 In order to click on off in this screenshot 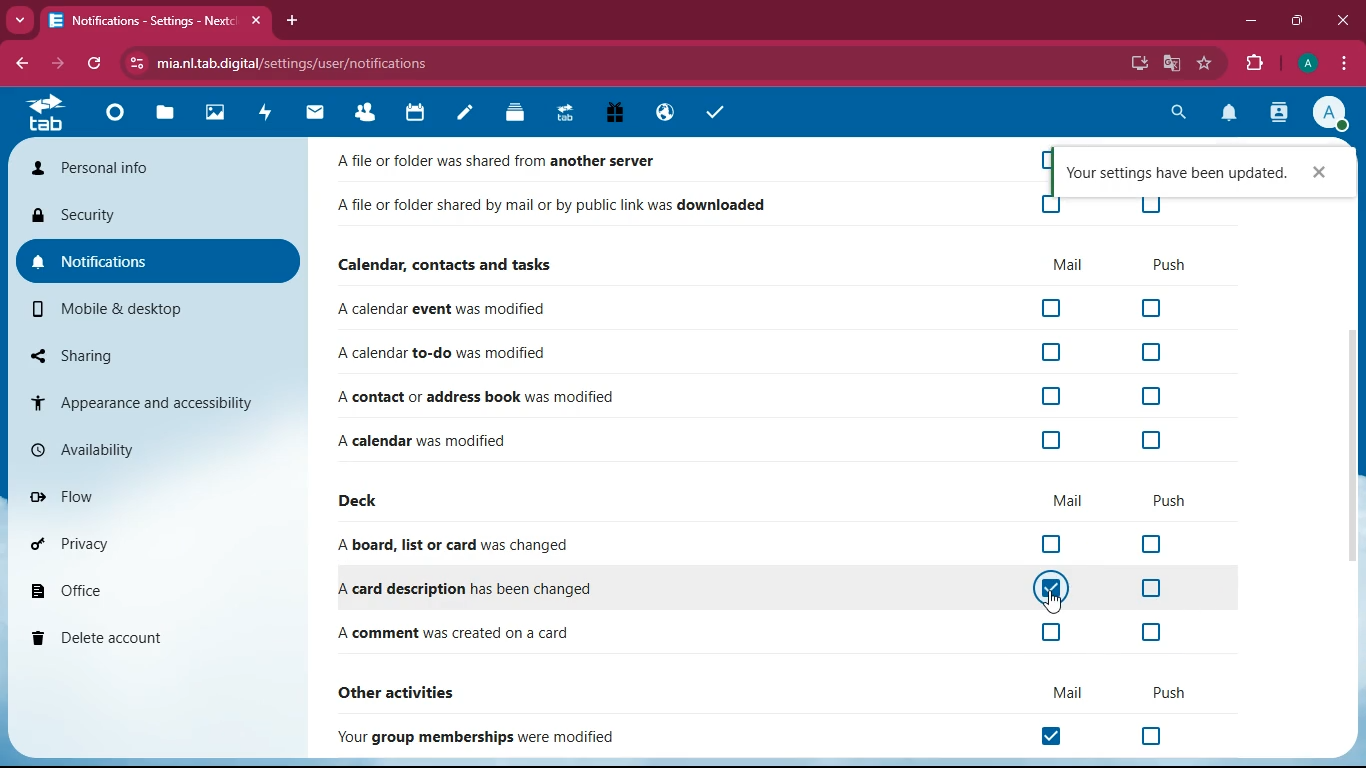, I will do `click(1153, 207)`.